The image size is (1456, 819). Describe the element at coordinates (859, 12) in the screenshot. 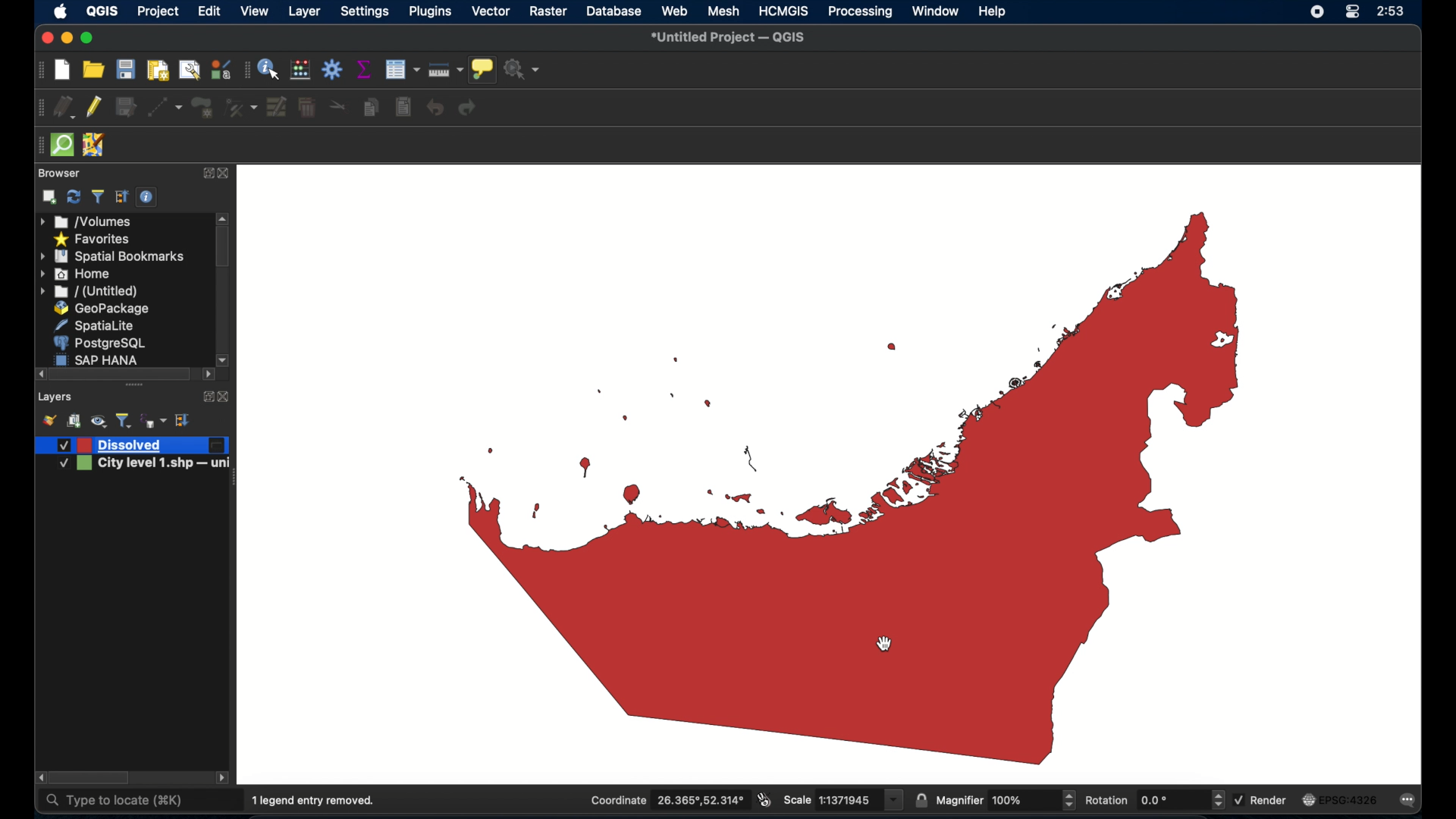

I see `processing` at that location.